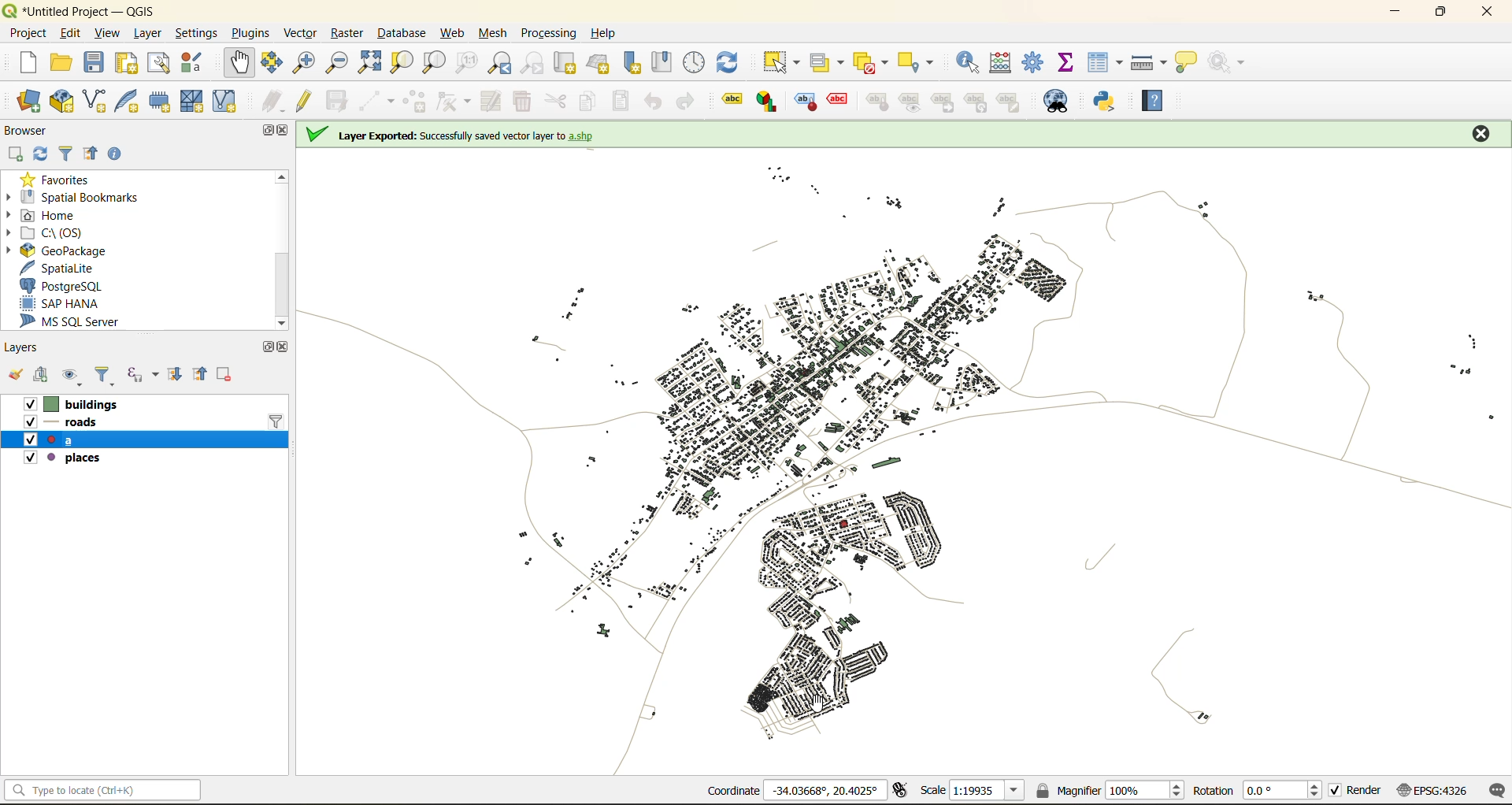 The image size is (1512, 805). I want to click on view, so click(109, 32).